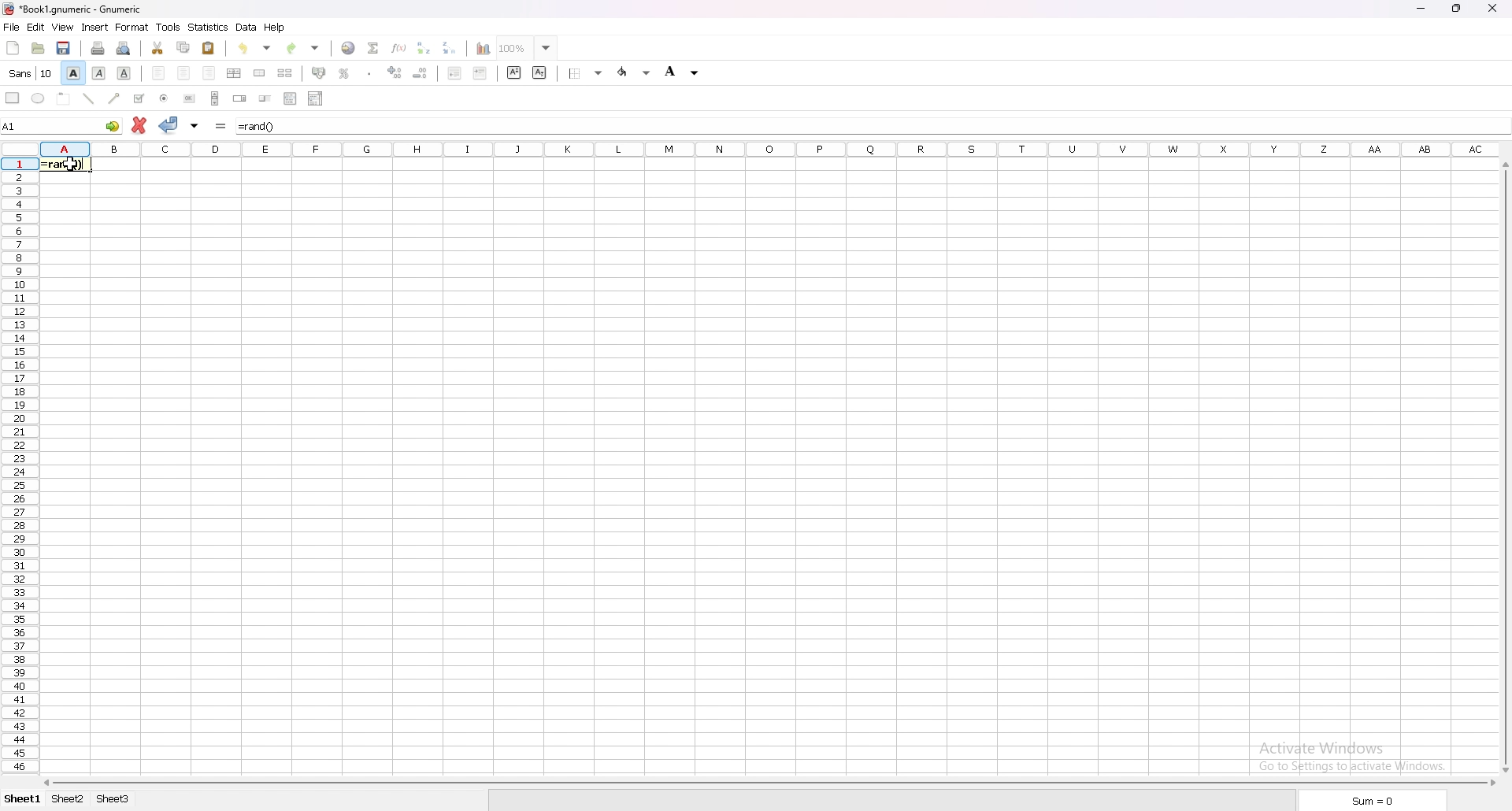 The height and width of the screenshot is (811, 1512). What do you see at coordinates (539, 72) in the screenshot?
I see `subscript` at bounding box center [539, 72].